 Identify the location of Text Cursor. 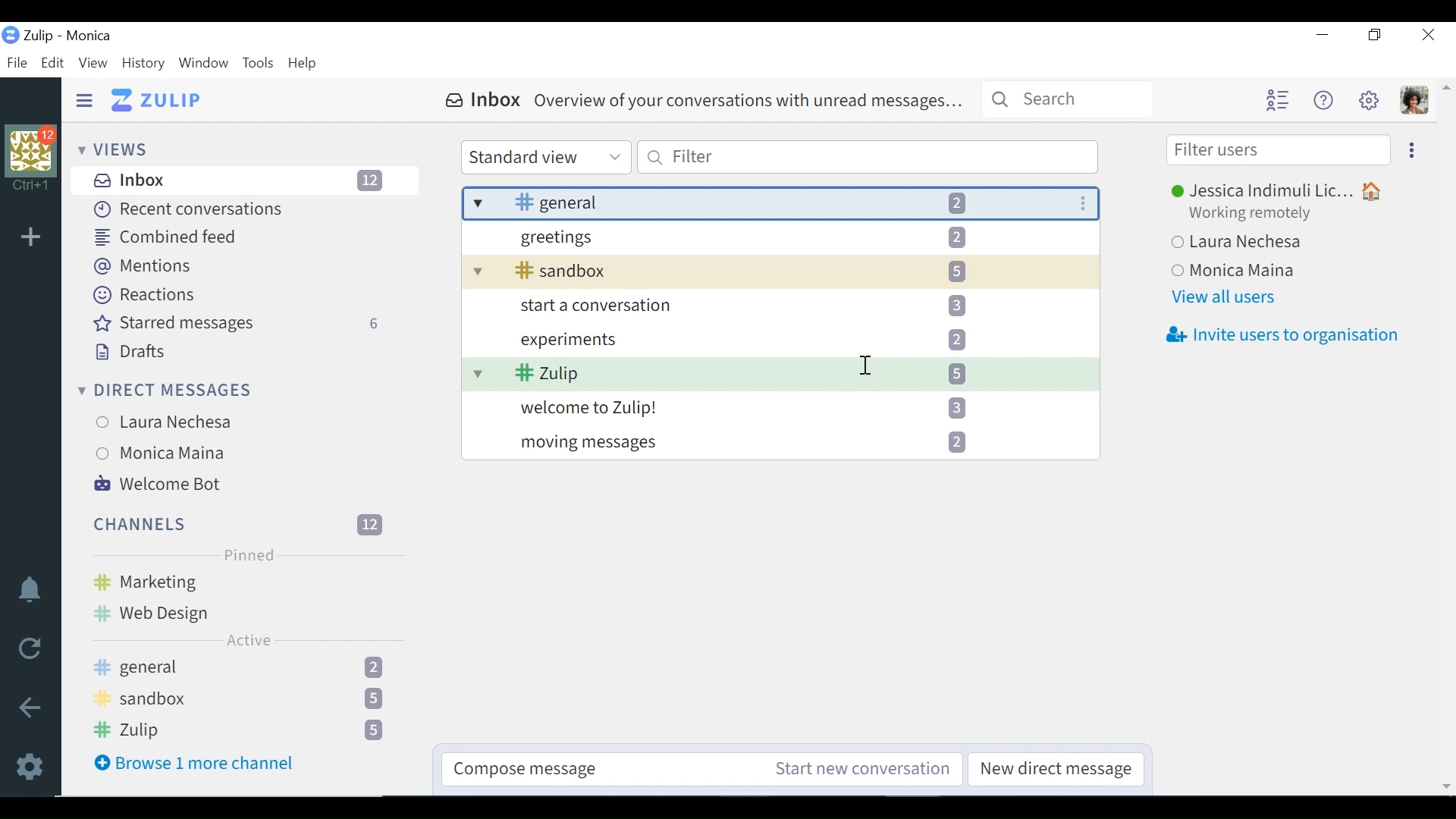
(868, 363).